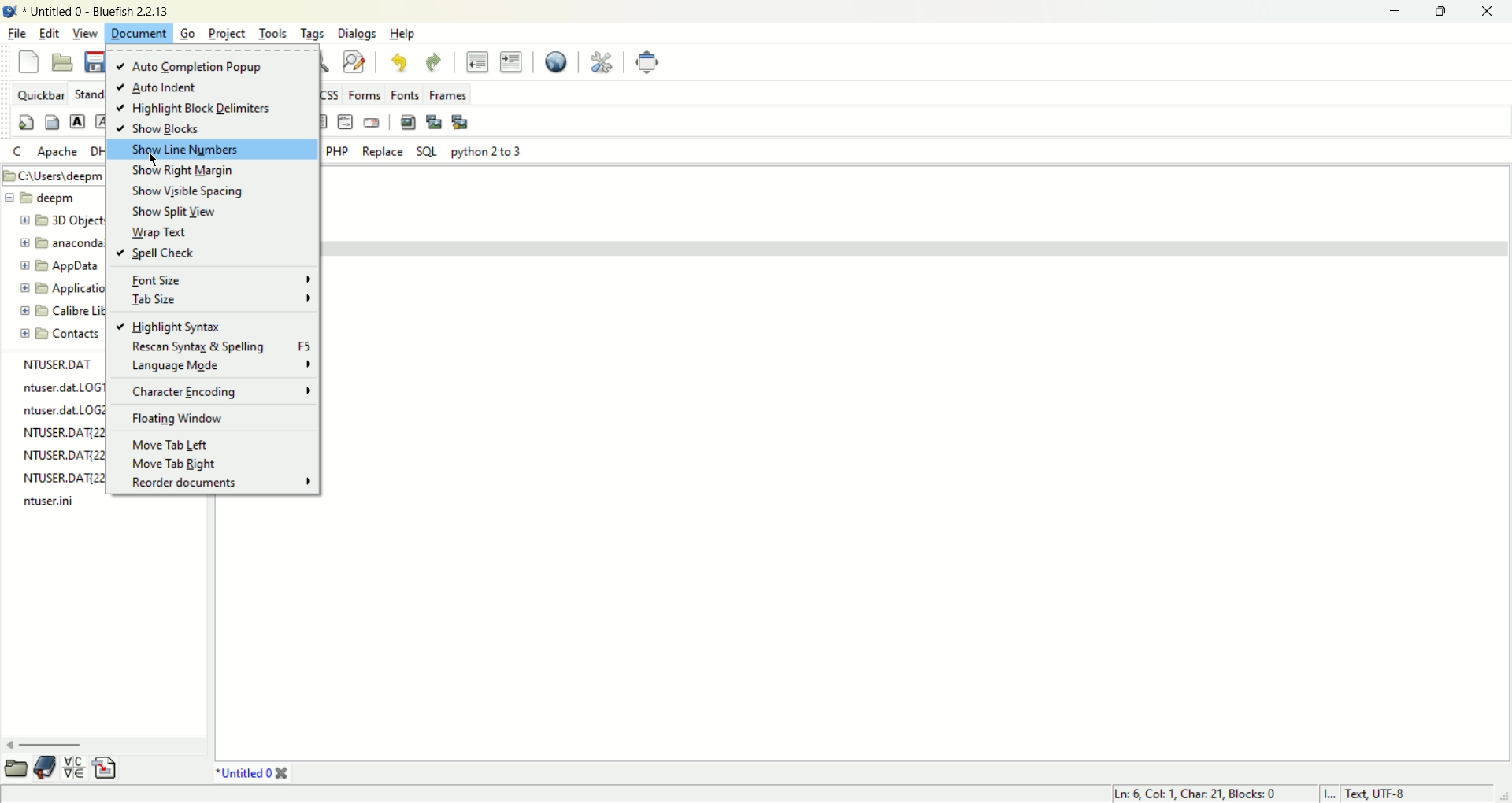  I want to click on project, so click(228, 33).